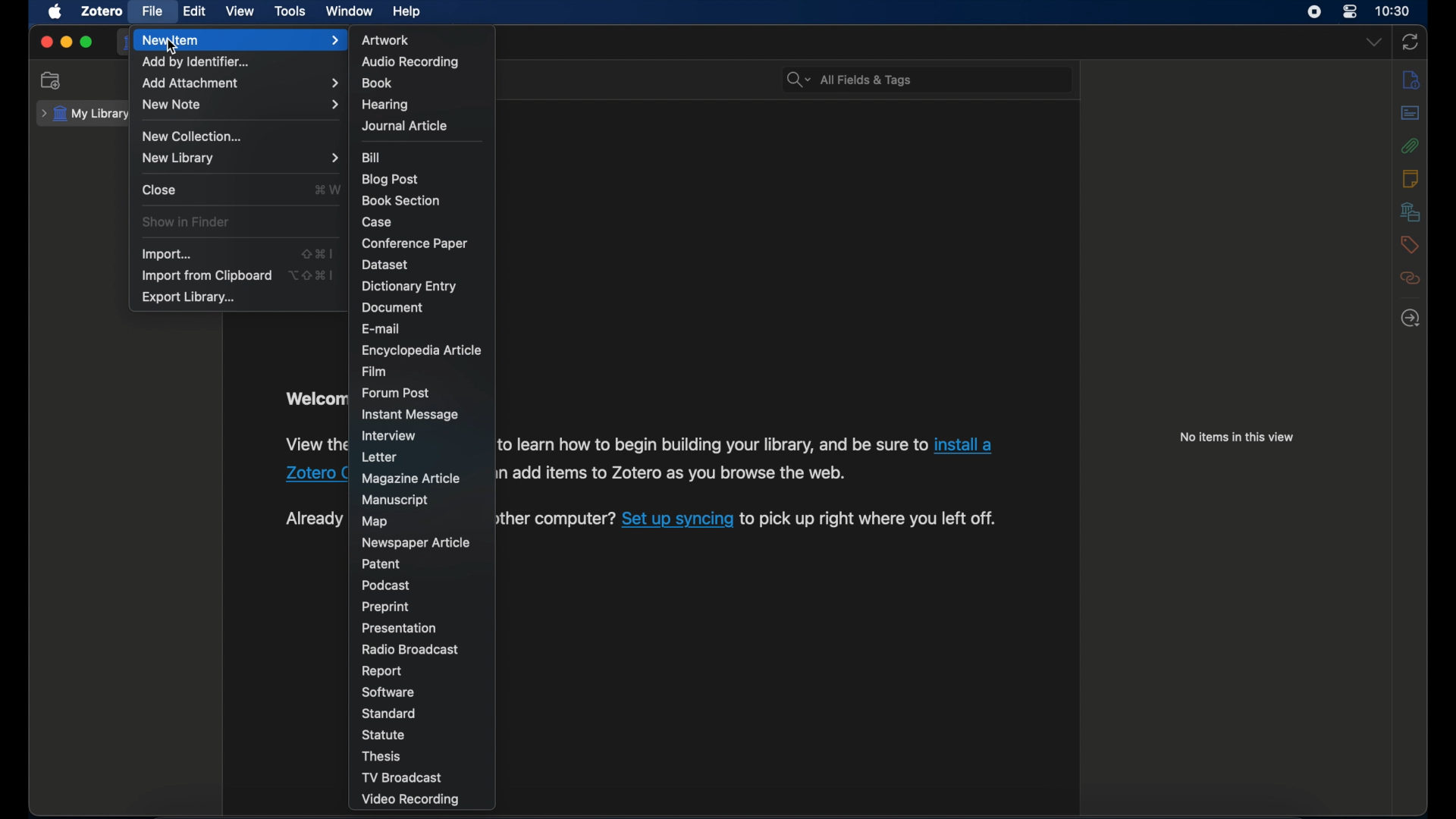 The image size is (1456, 819). What do you see at coordinates (1374, 42) in the screenshot?
I see `dropdown` at bounding box center [1374, 42].